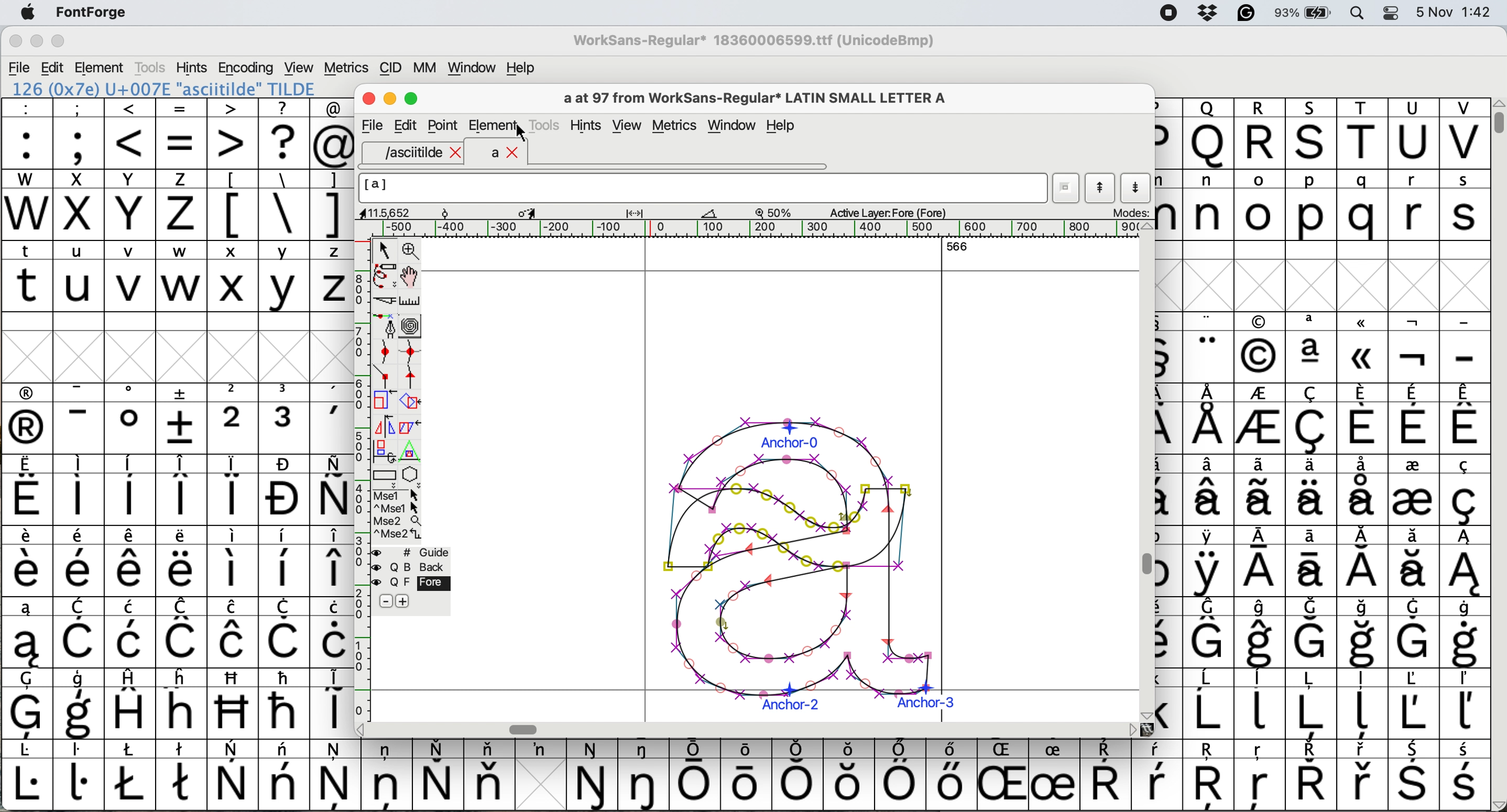  I want to click on , so click(1208, 133).